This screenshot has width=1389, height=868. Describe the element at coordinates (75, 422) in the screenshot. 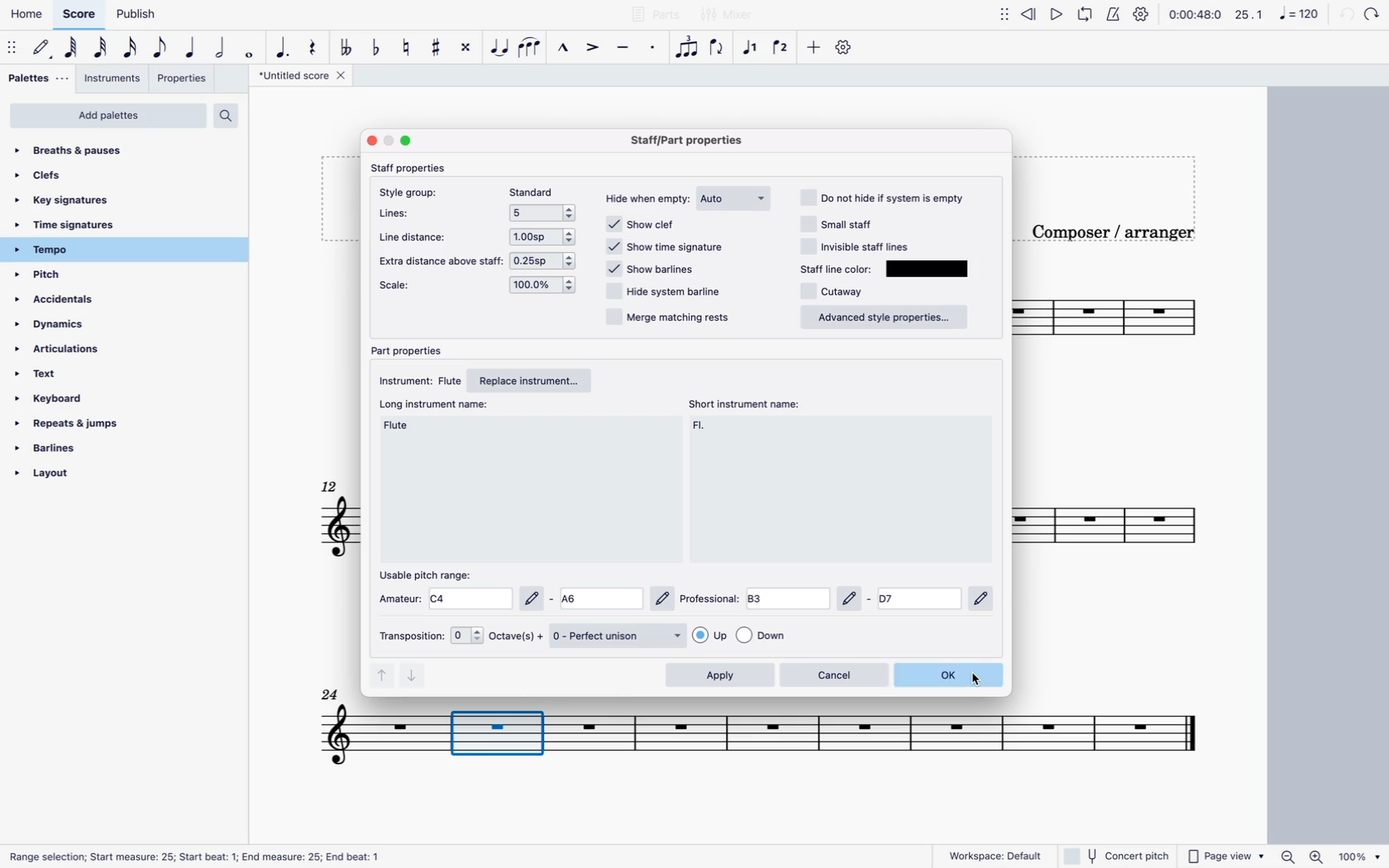

I see `repeats & jumps` at that location.